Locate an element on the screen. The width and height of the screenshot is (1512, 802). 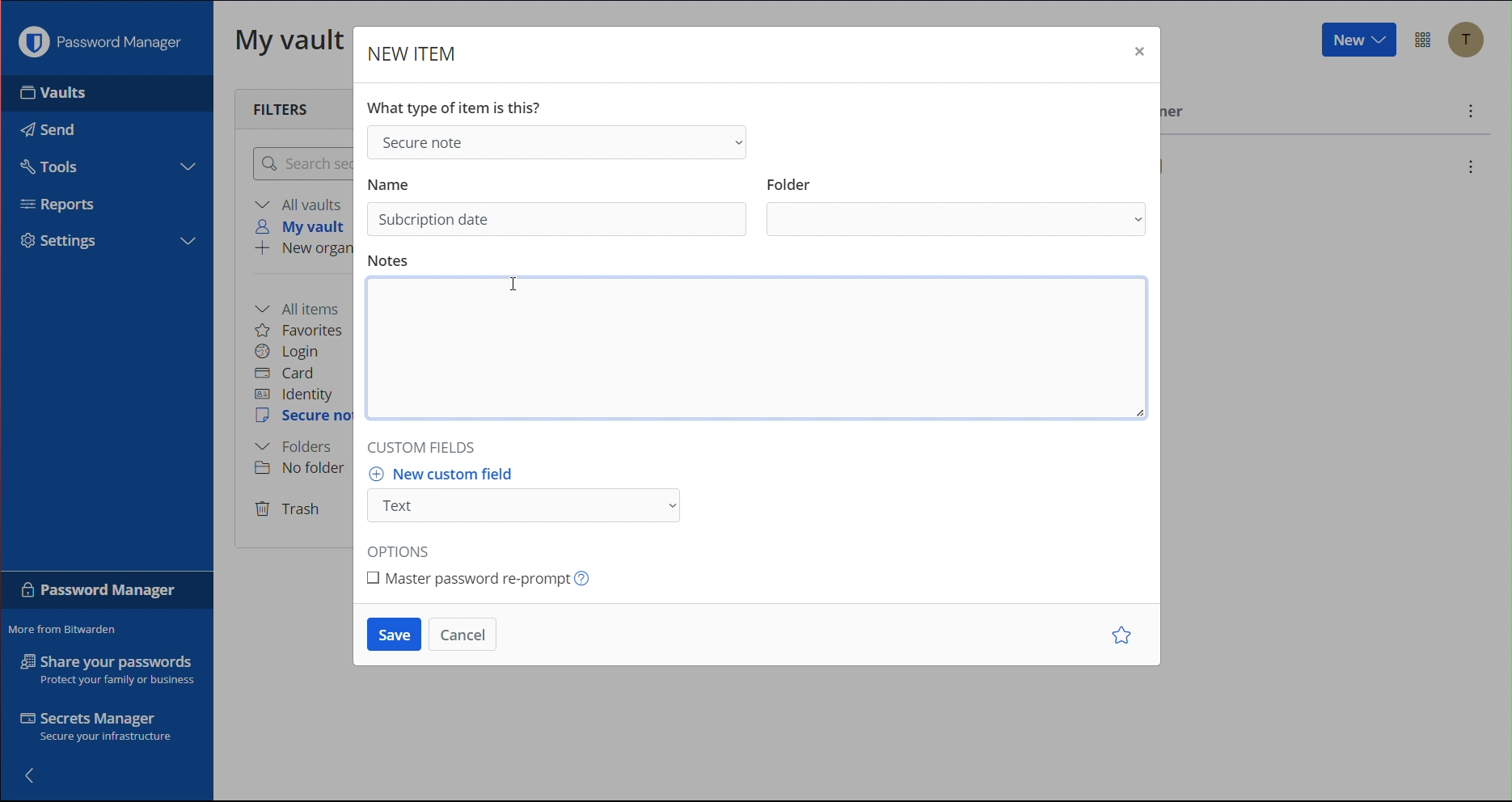
What type of item is this? is located at coordinates (459, 105).